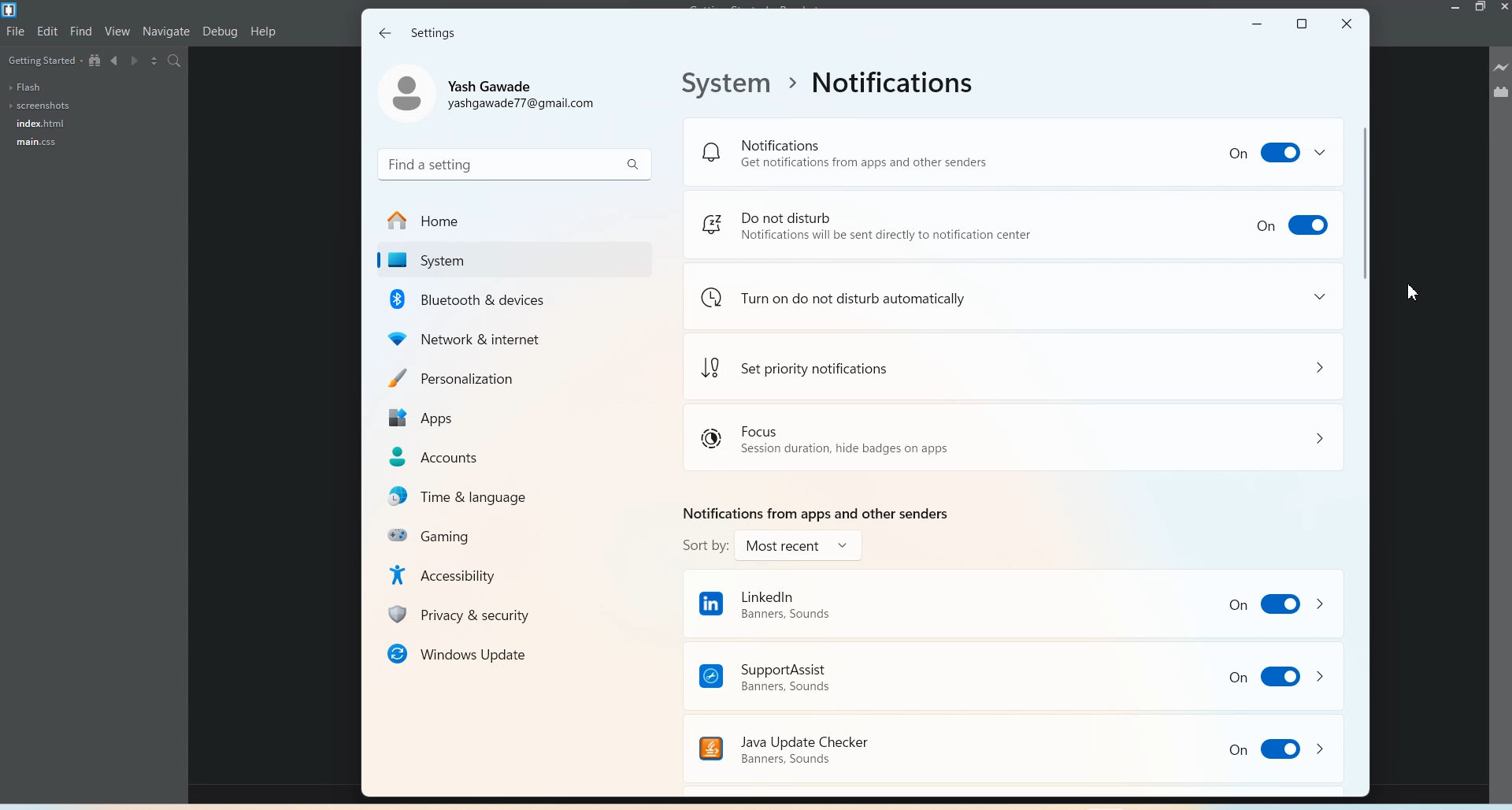 The width and height of the screenshot is (1512, 810). What do you see at coordinates (1411, 292) in the screenshot?
I see `Cursor` at bounding box center [1411, 292].